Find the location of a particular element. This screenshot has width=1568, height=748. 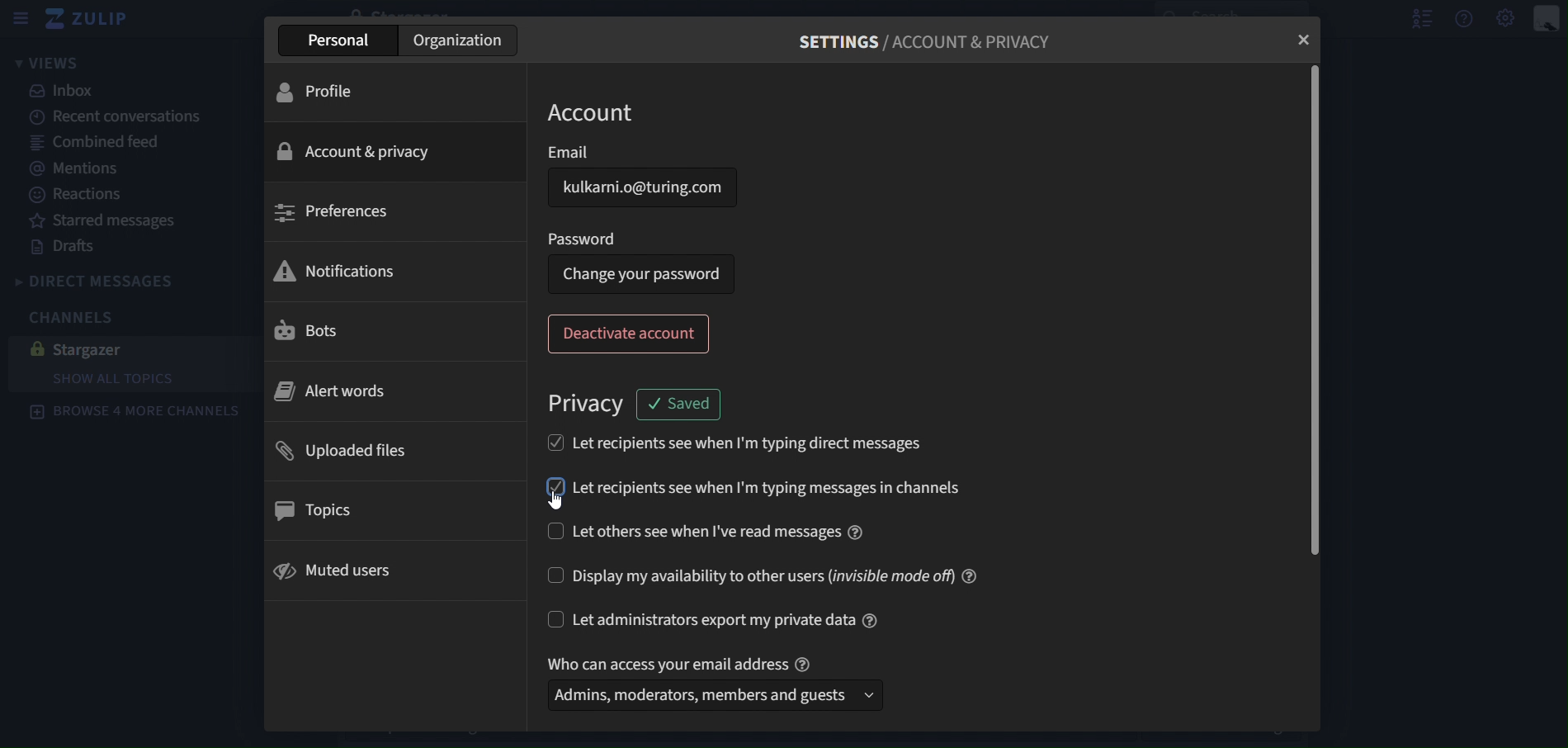

change your password is located at coordinates (640, 275).